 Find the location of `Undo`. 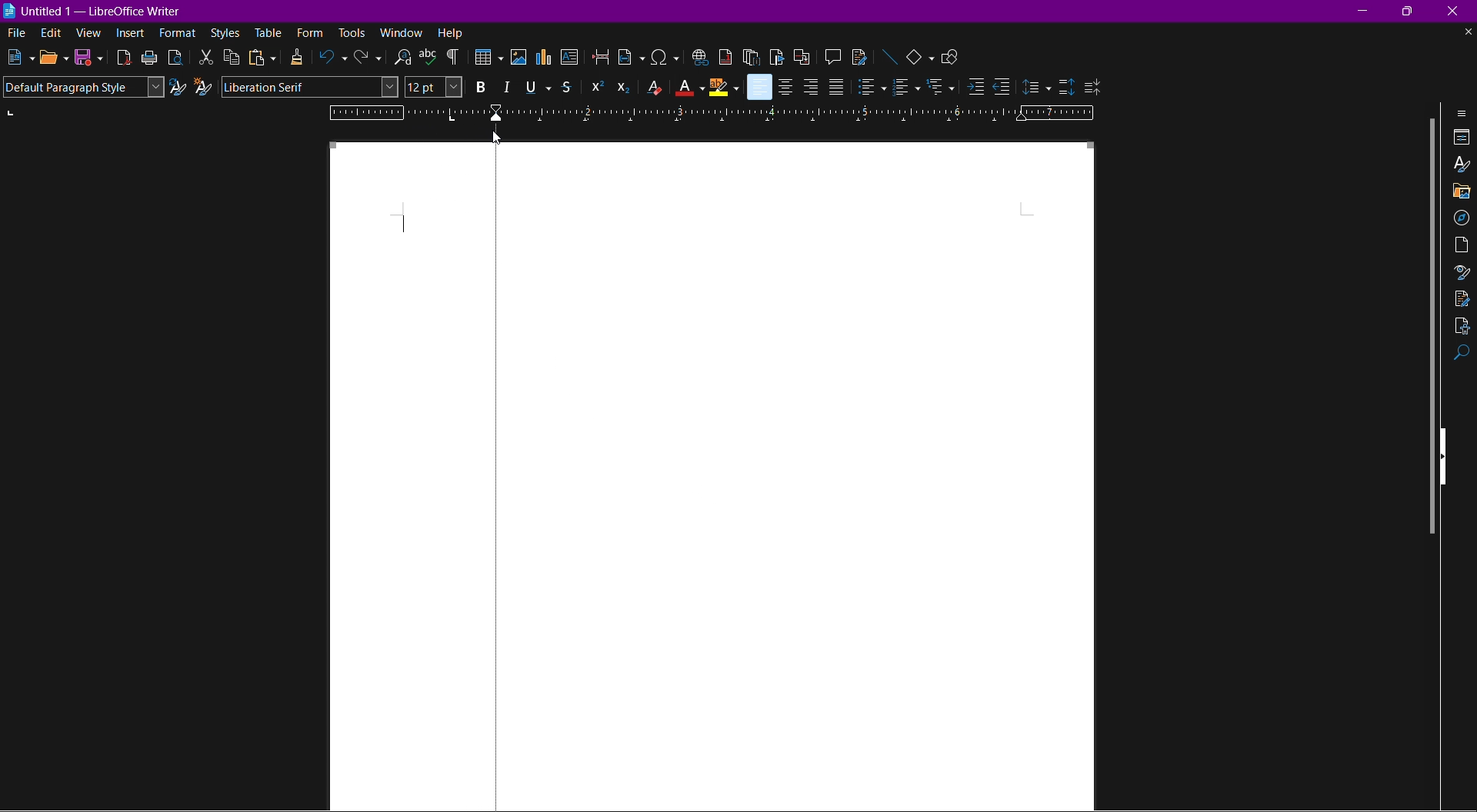

Undo is located at coordinates (334, 59).